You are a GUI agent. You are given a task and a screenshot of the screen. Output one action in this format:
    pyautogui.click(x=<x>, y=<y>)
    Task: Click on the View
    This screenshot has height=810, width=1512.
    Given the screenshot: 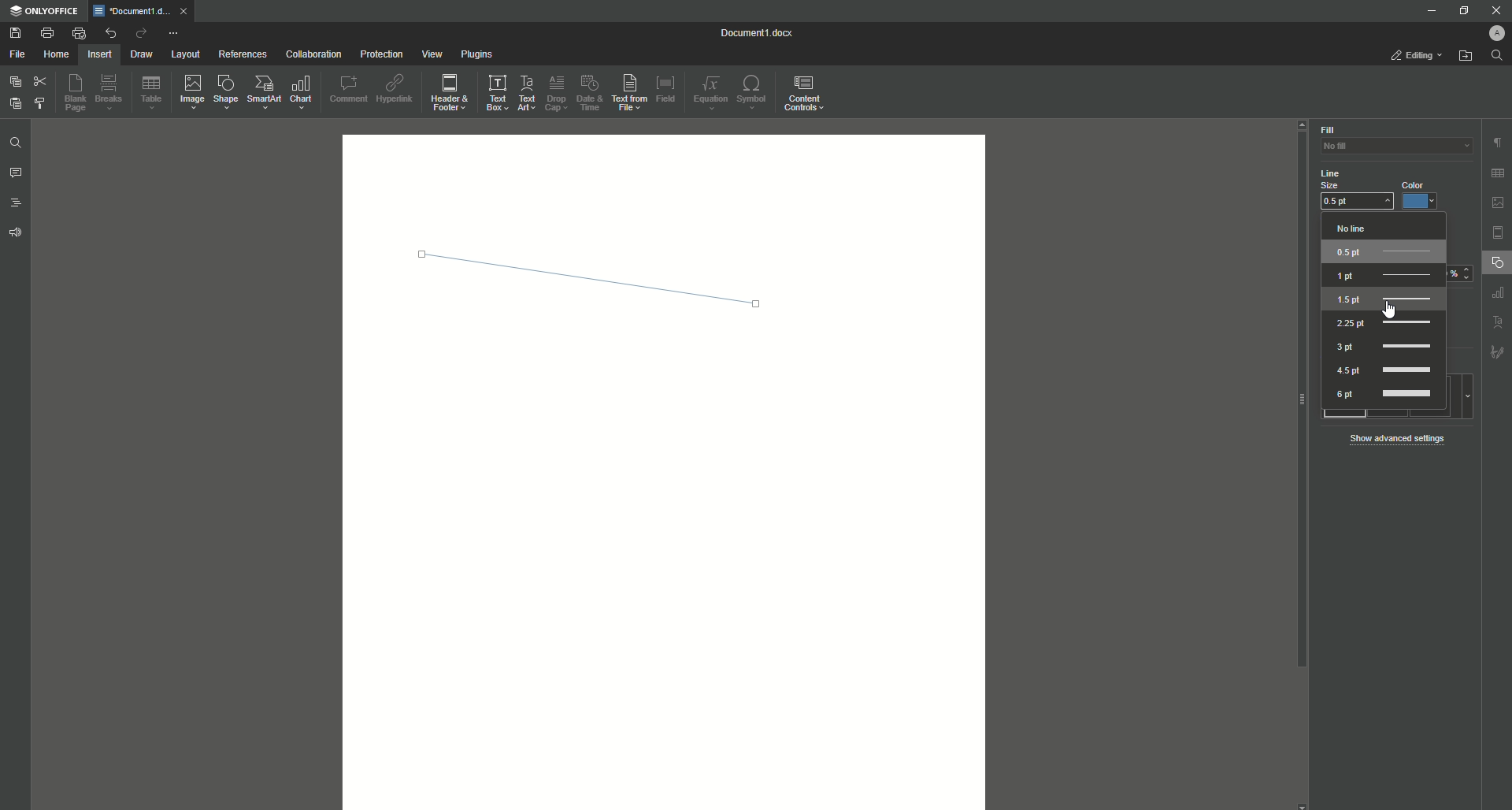 What is the action you would take?
    pyautogui.click(x=431, y=54)
    